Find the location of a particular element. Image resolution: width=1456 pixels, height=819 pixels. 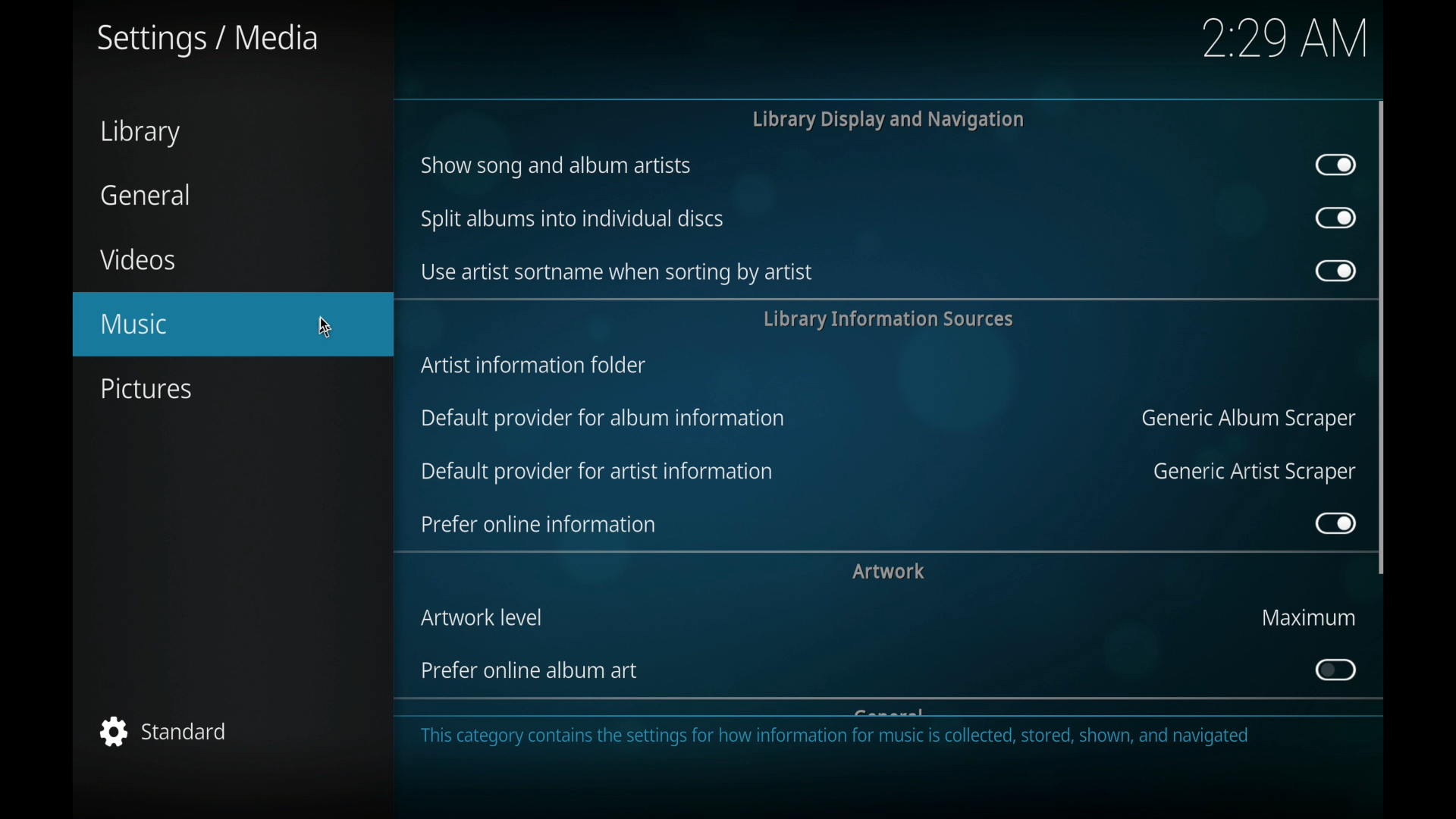

artwork level is located at coordinates (481, 617).